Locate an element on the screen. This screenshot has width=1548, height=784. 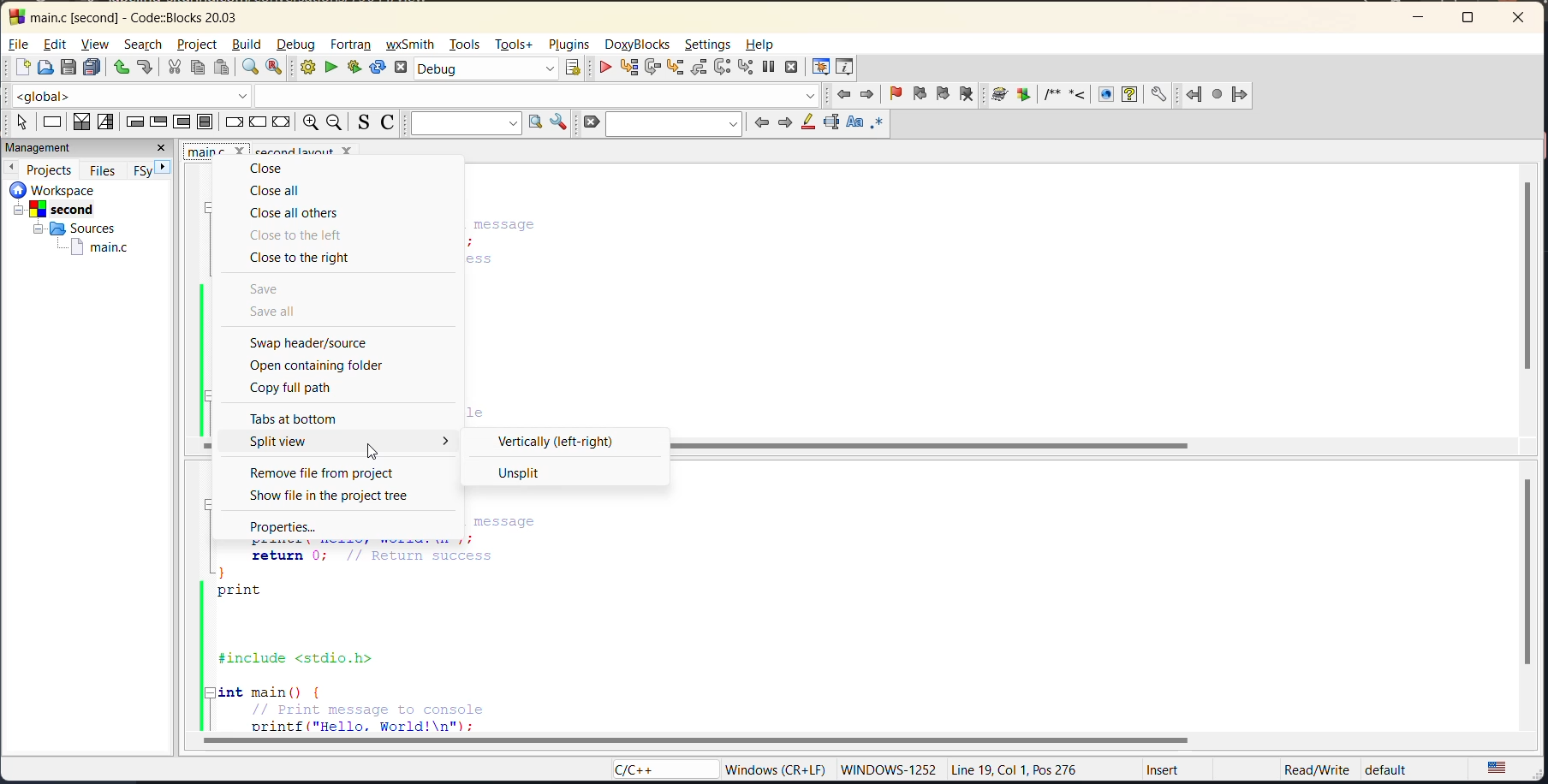
close all is located at coordinates (289, 193).